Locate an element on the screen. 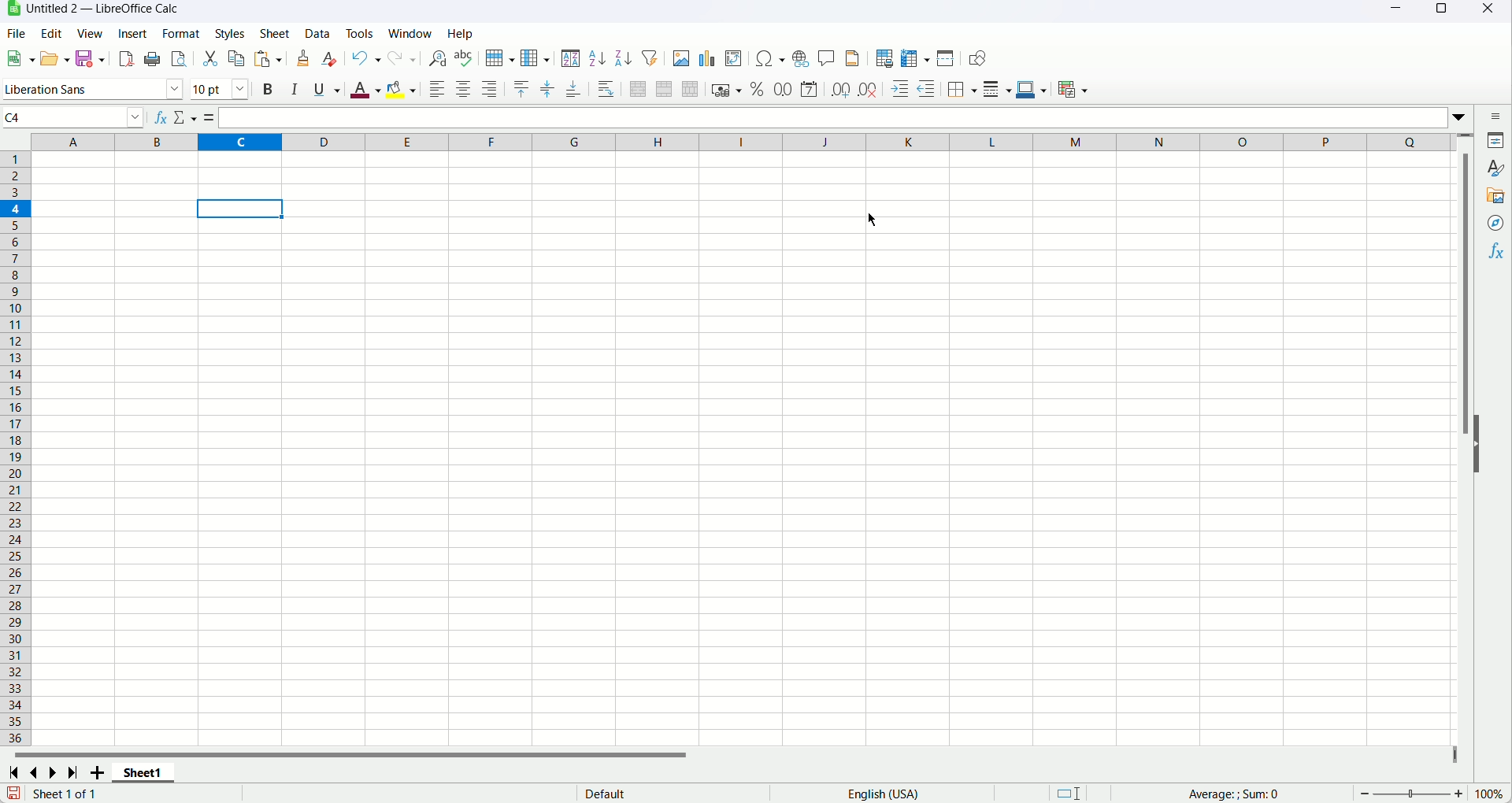  Find and replace is located at coordinates (438, 59).